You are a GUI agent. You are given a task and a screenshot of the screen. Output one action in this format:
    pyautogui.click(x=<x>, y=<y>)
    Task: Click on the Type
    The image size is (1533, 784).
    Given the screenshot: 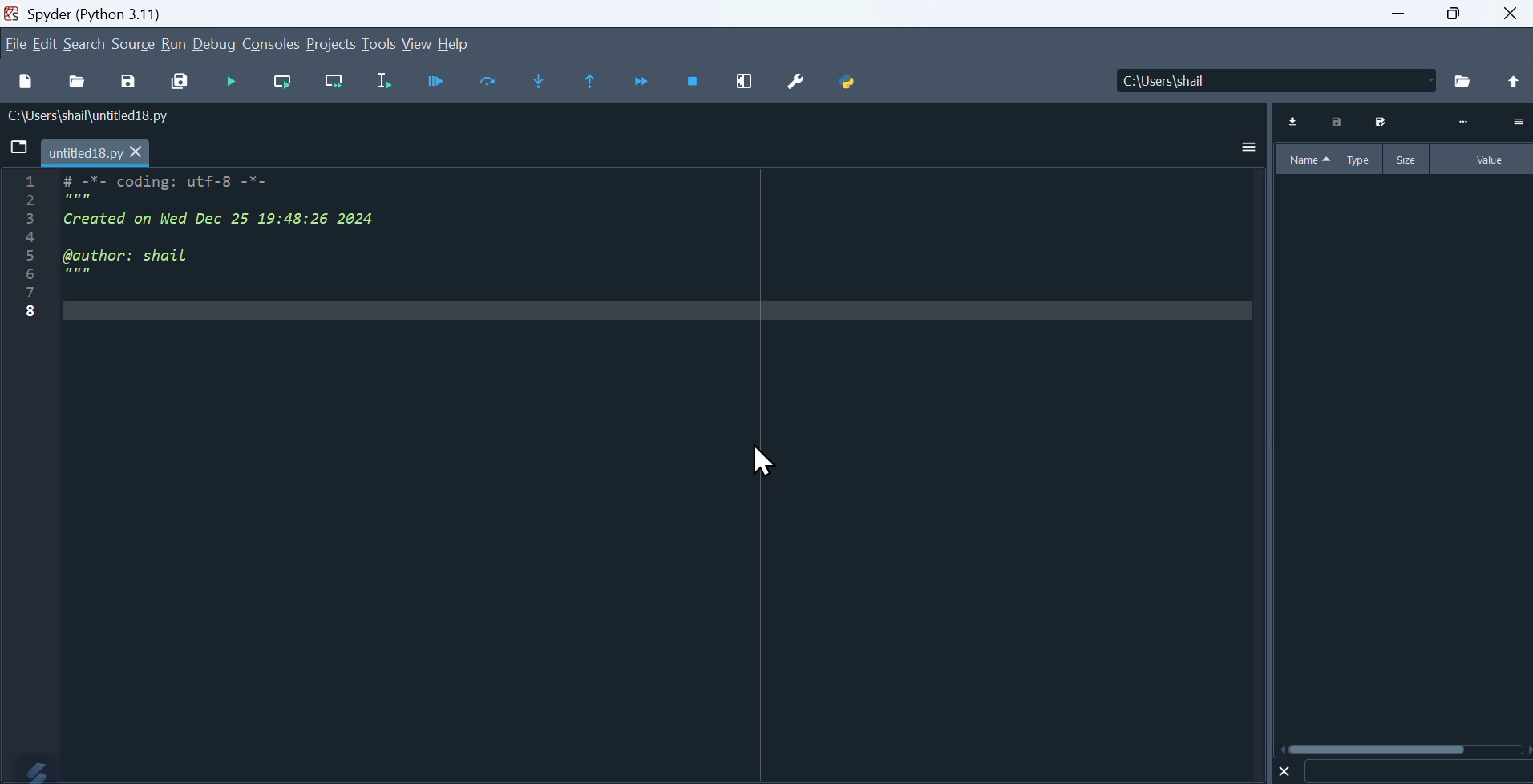 What is the action you would take?
    pyautogui.click(x=1361, y=159)
    